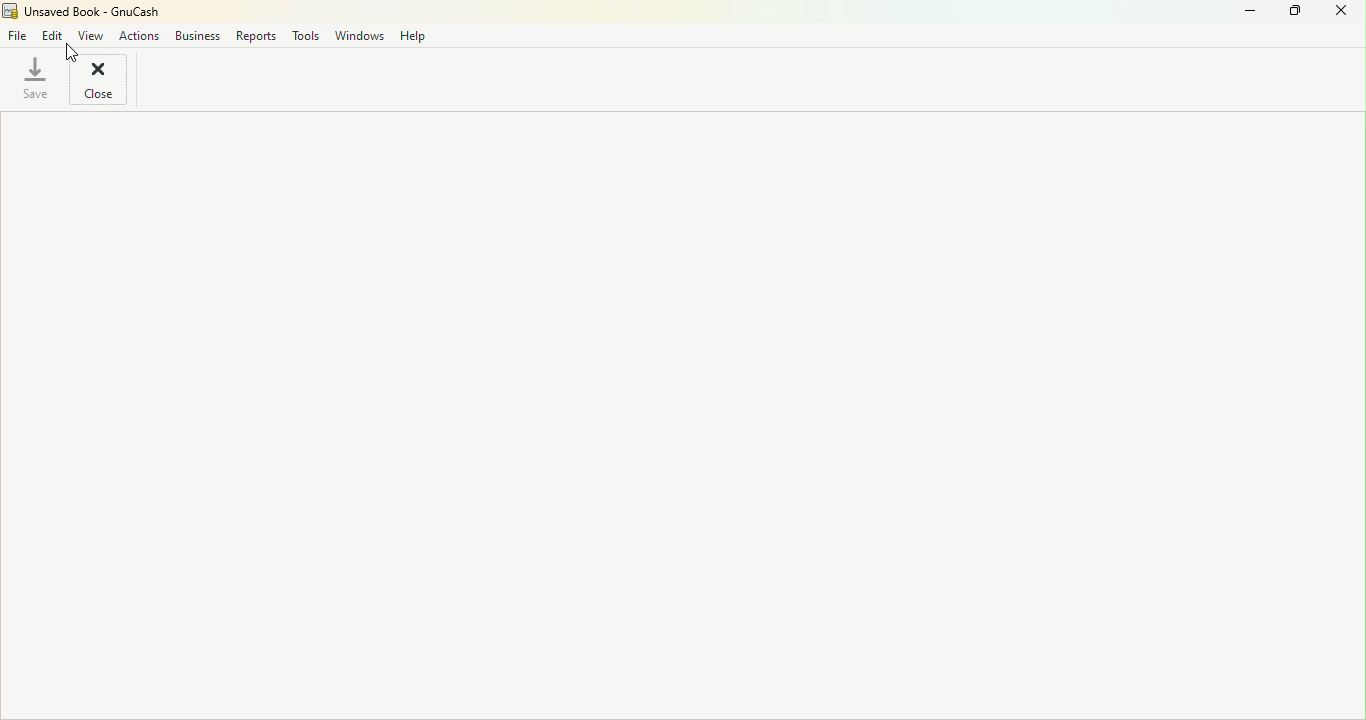  I want to click on Actions, so click(137, 35).